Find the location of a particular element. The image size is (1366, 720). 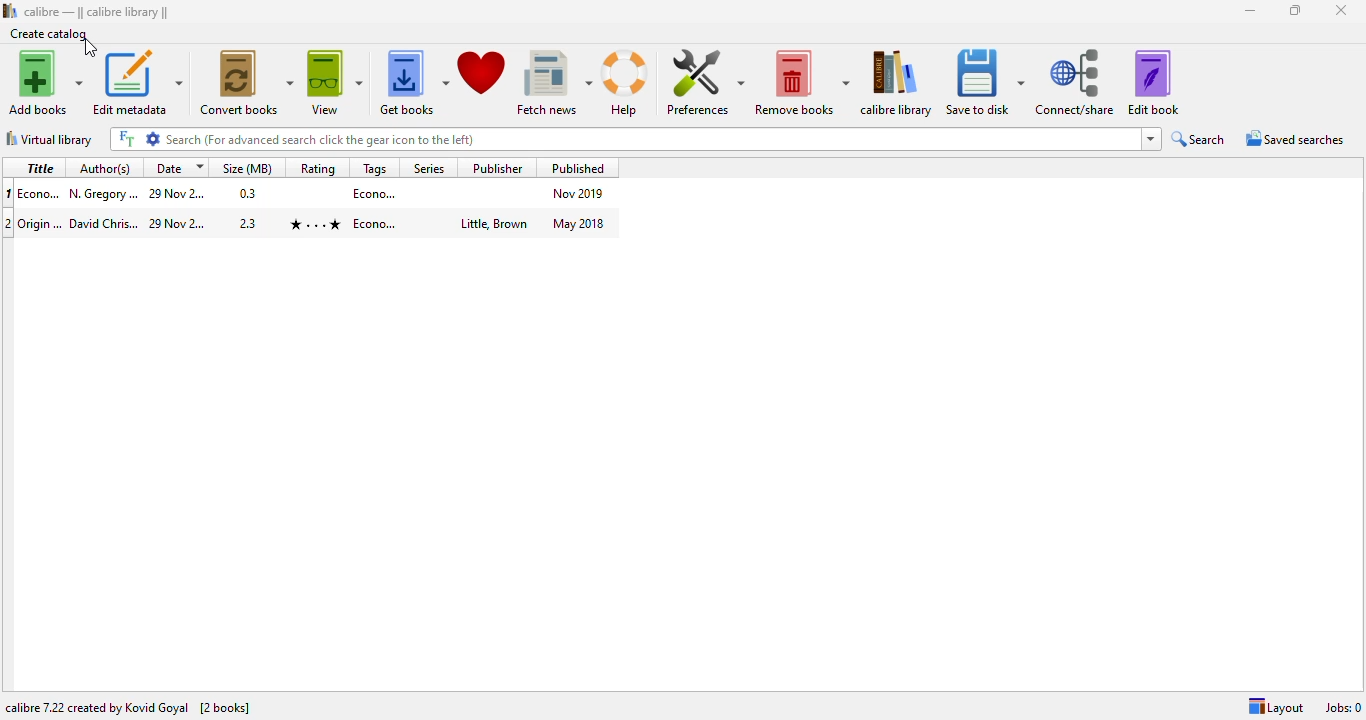

rating is located at coordinates (318, 168).